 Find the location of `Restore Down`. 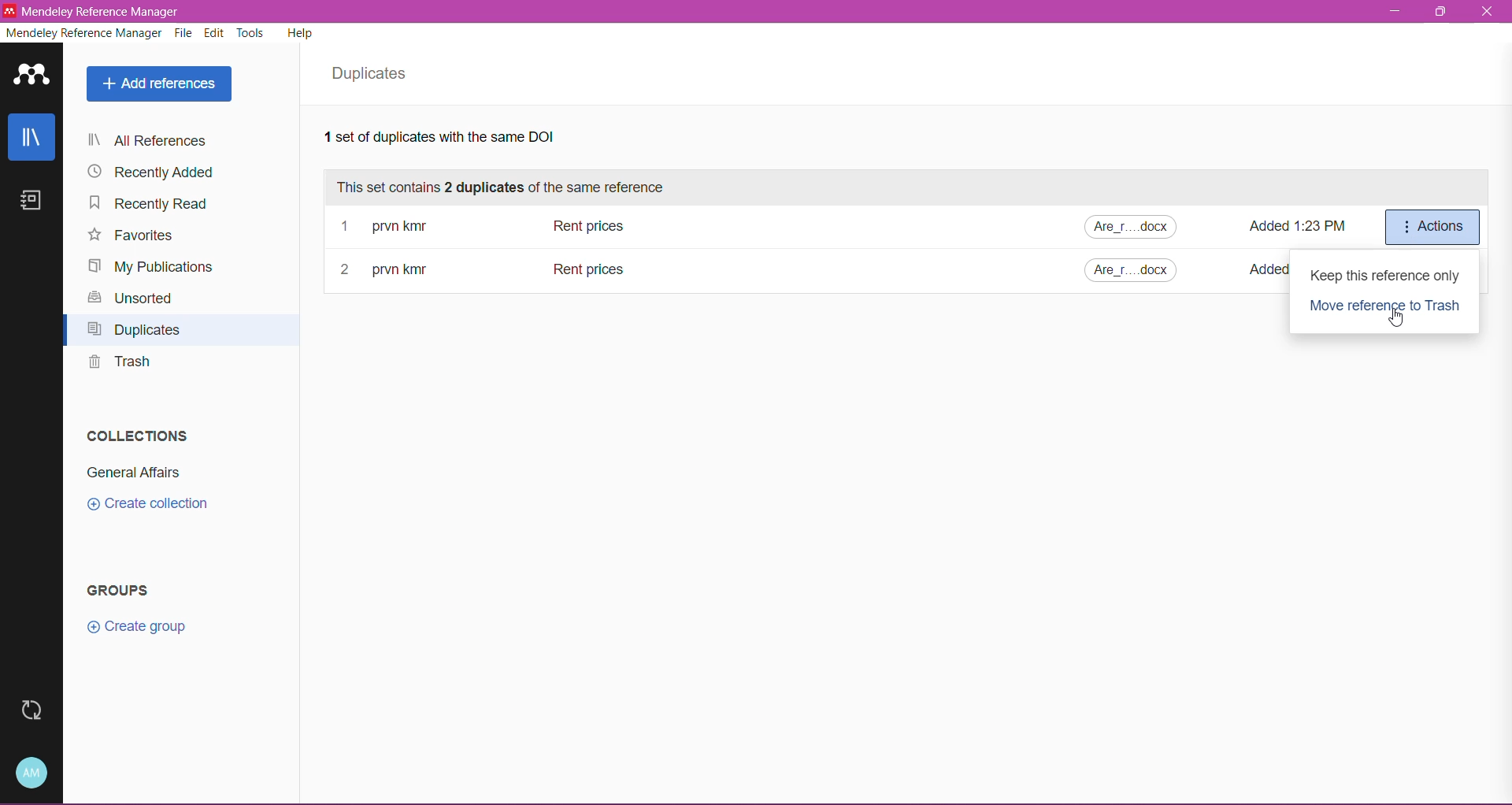

Restore Down is located at coordinates (1443, 12).